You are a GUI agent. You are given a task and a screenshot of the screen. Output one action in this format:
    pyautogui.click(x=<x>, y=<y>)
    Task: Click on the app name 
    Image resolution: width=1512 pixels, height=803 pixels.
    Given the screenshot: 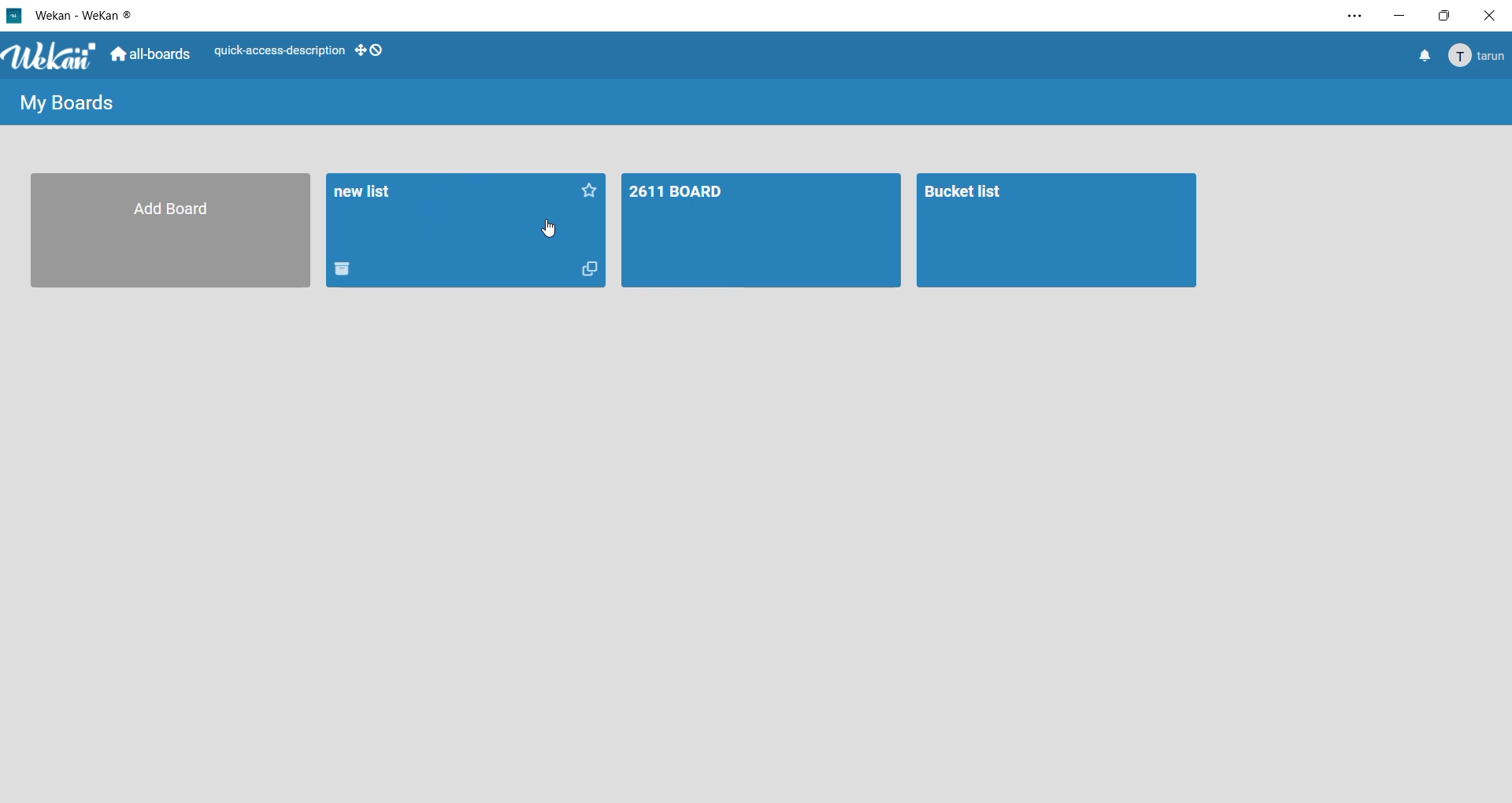 What is the action you would take?
    pyautogui.click(x=86, y=13)
    